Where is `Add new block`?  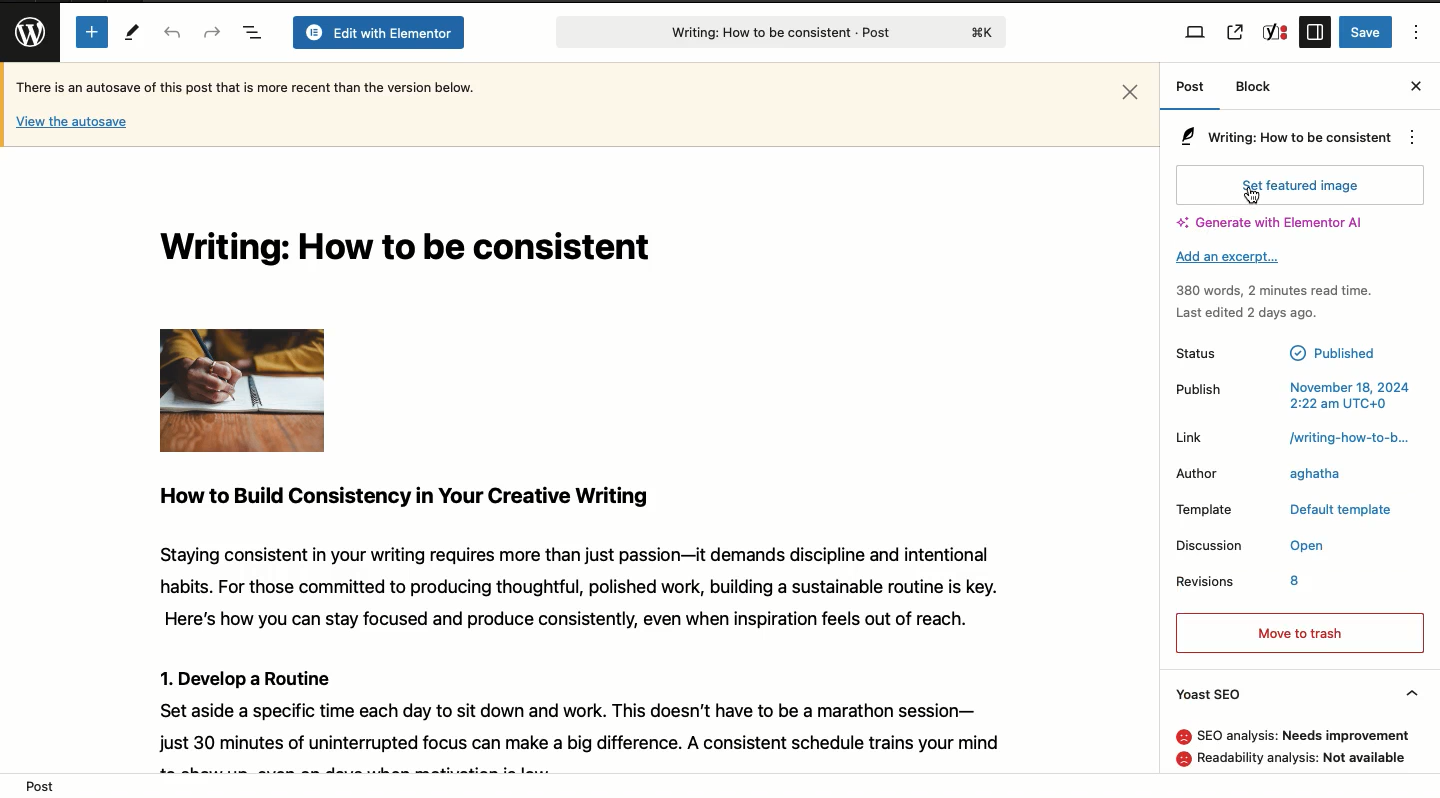 Add new block is located at coordinates (89, 31).